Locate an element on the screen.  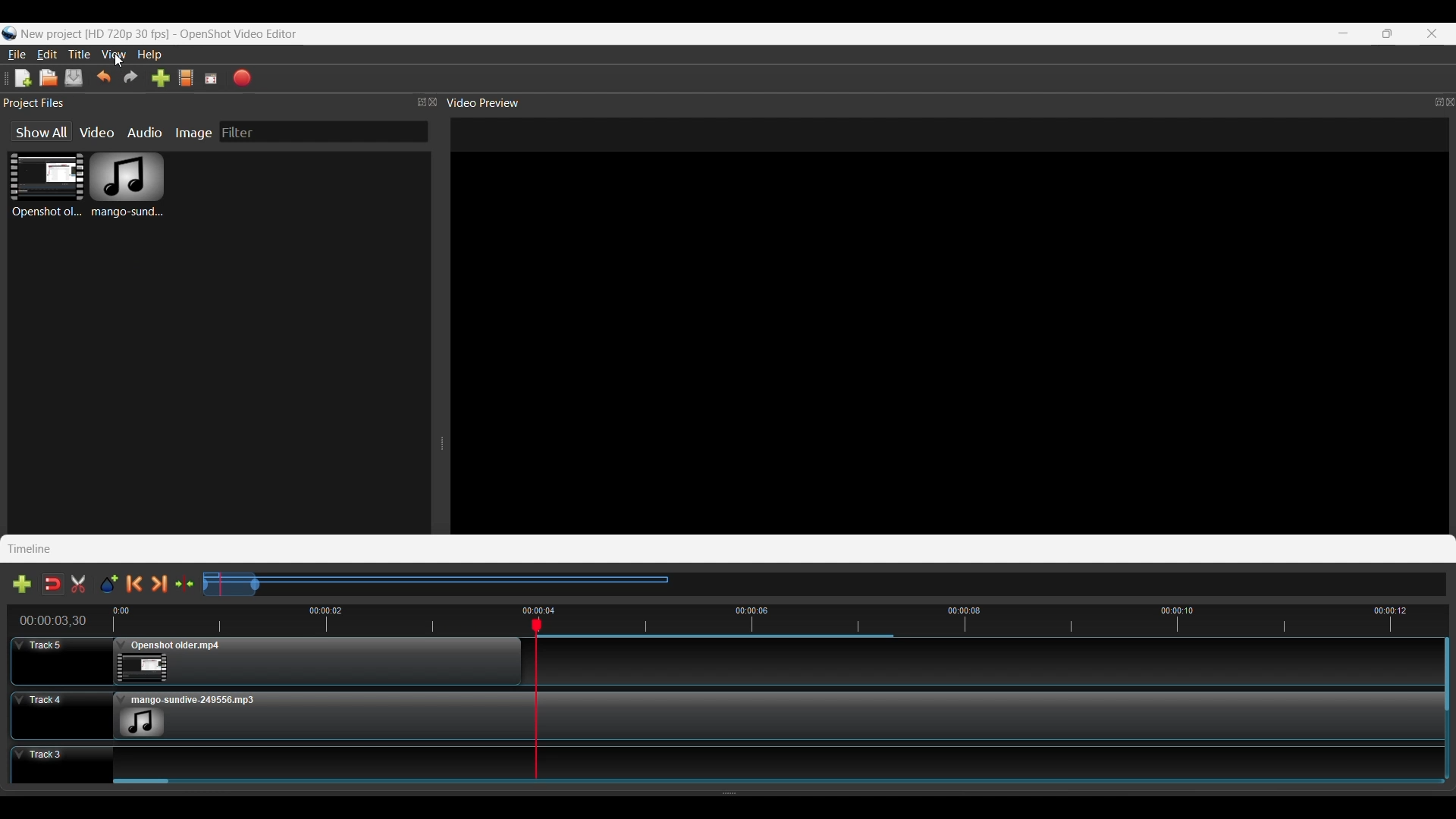
Close is located at coordinates (432, 102).